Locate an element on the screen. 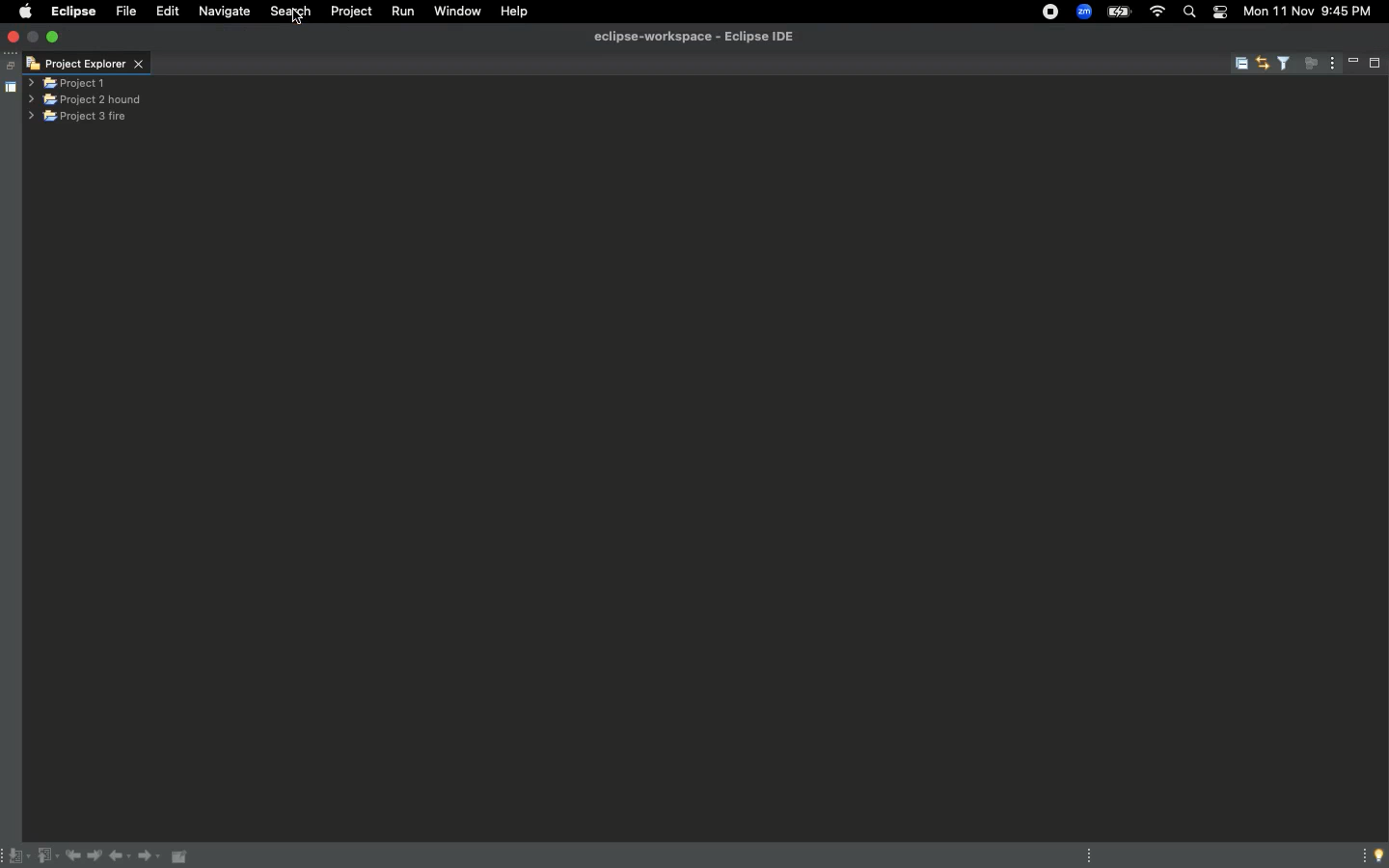 The image size is (1389, 868). minimise is located at coordinates (33, 38).